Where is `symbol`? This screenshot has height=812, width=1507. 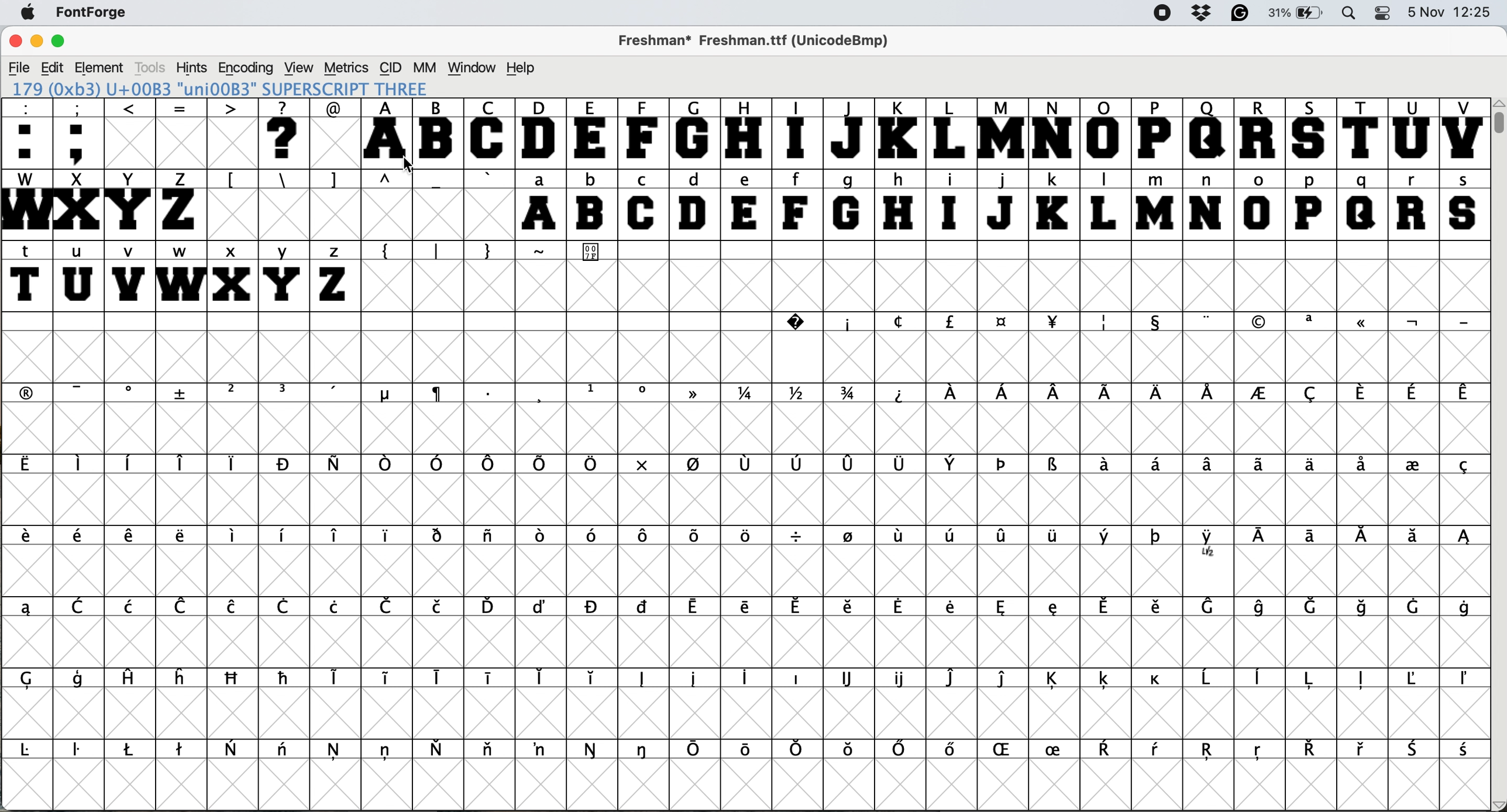
symbol is located at coordinates (389, 606).